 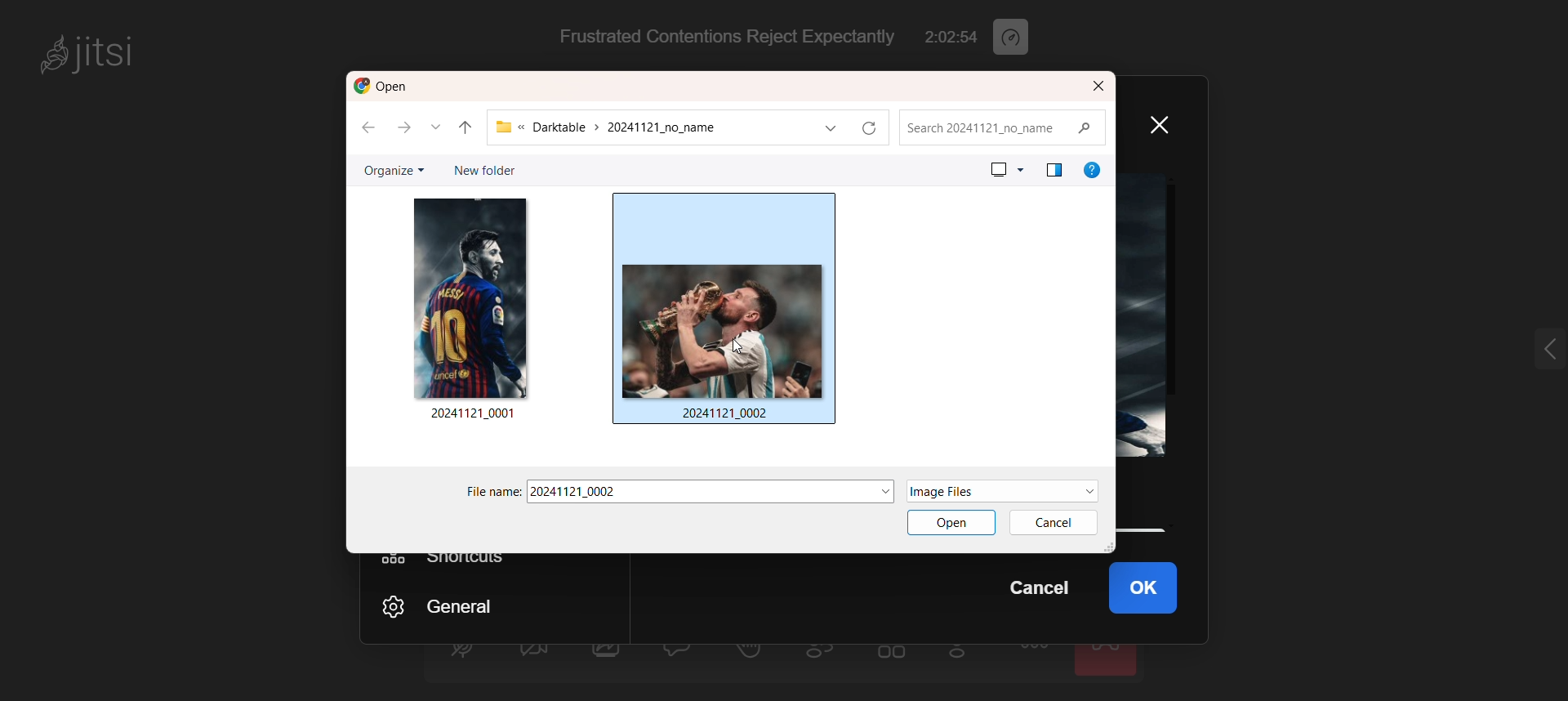 What do you see at coordinates (532, 656) in the screenshot?
I see `start camera` at bounding box center [532, 656].